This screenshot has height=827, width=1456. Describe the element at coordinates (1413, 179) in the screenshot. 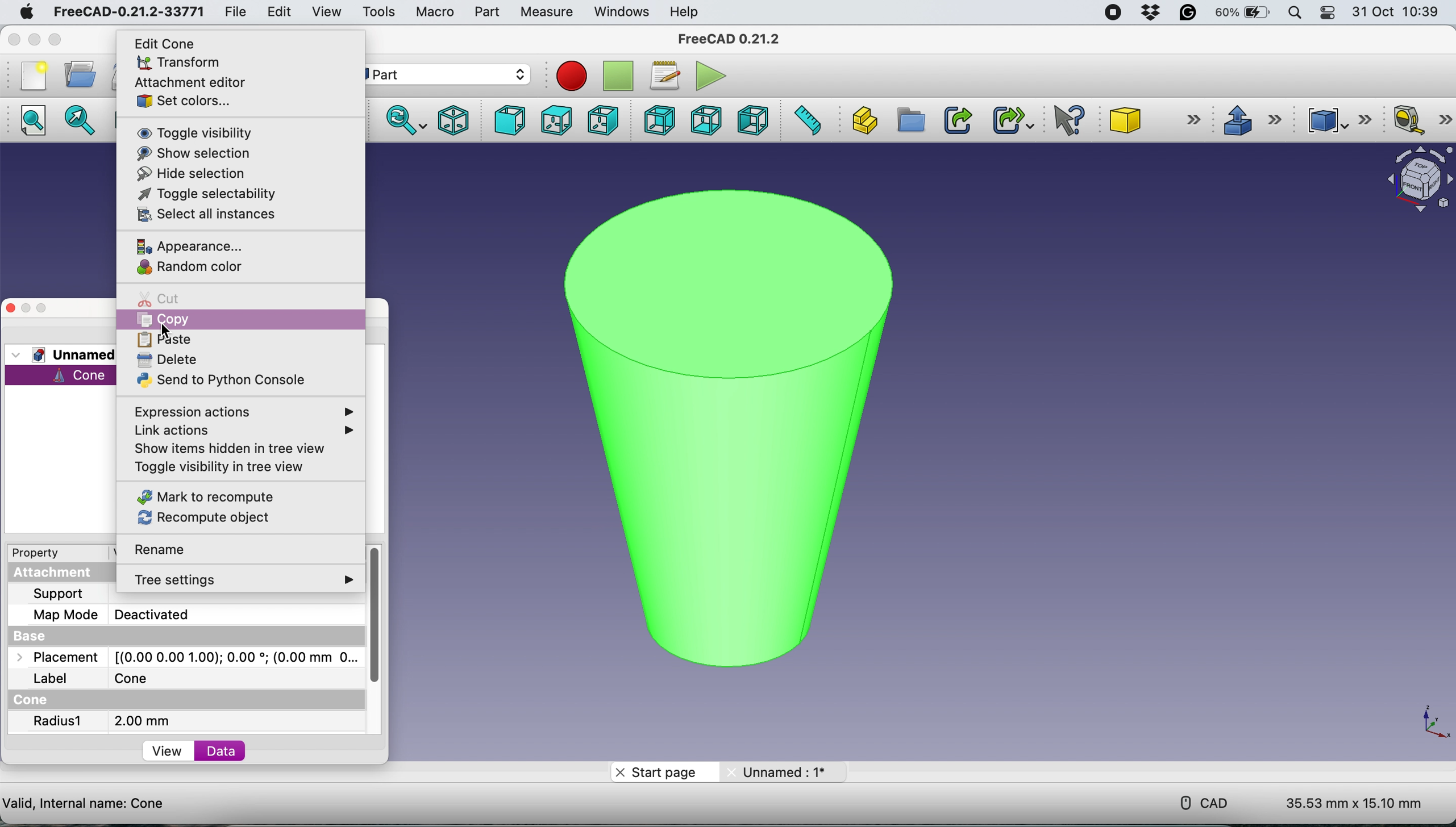

I see `object navigator` at that location.